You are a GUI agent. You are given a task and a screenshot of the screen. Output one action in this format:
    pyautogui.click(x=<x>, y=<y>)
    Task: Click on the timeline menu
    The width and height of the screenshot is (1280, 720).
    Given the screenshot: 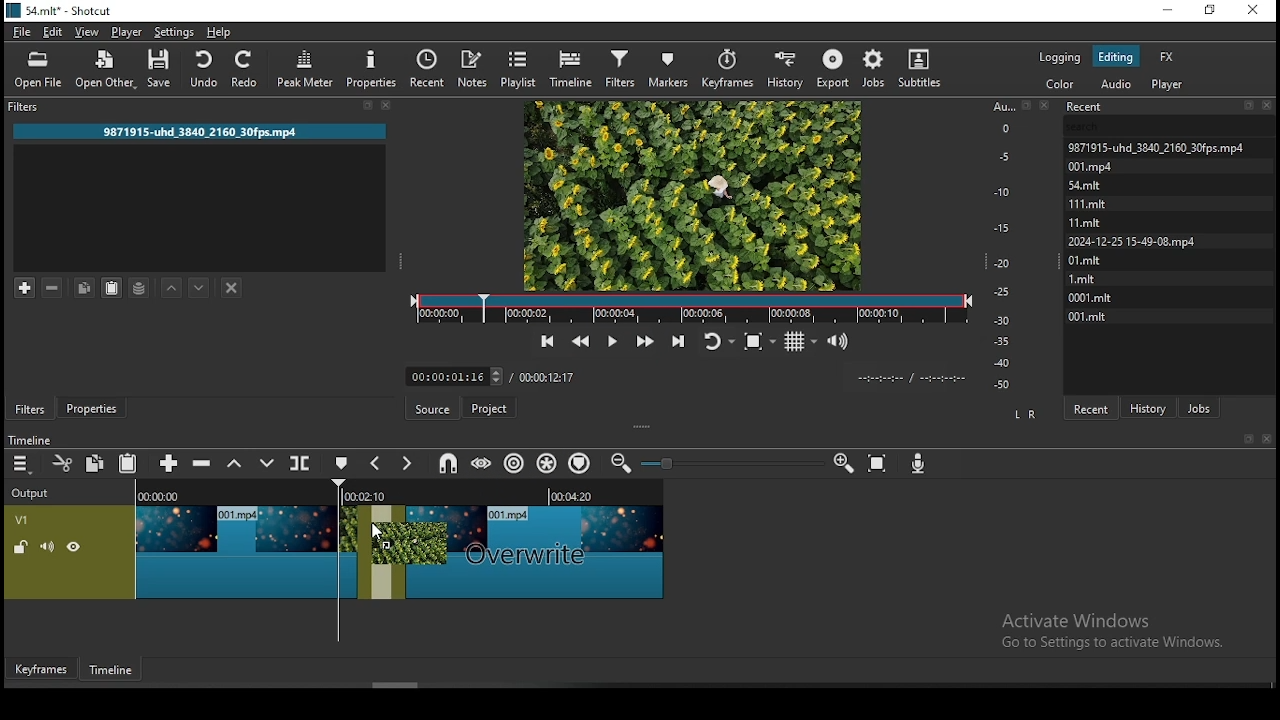 What is the action you would take?
    pyautogui.click(x=22, y=465)
    